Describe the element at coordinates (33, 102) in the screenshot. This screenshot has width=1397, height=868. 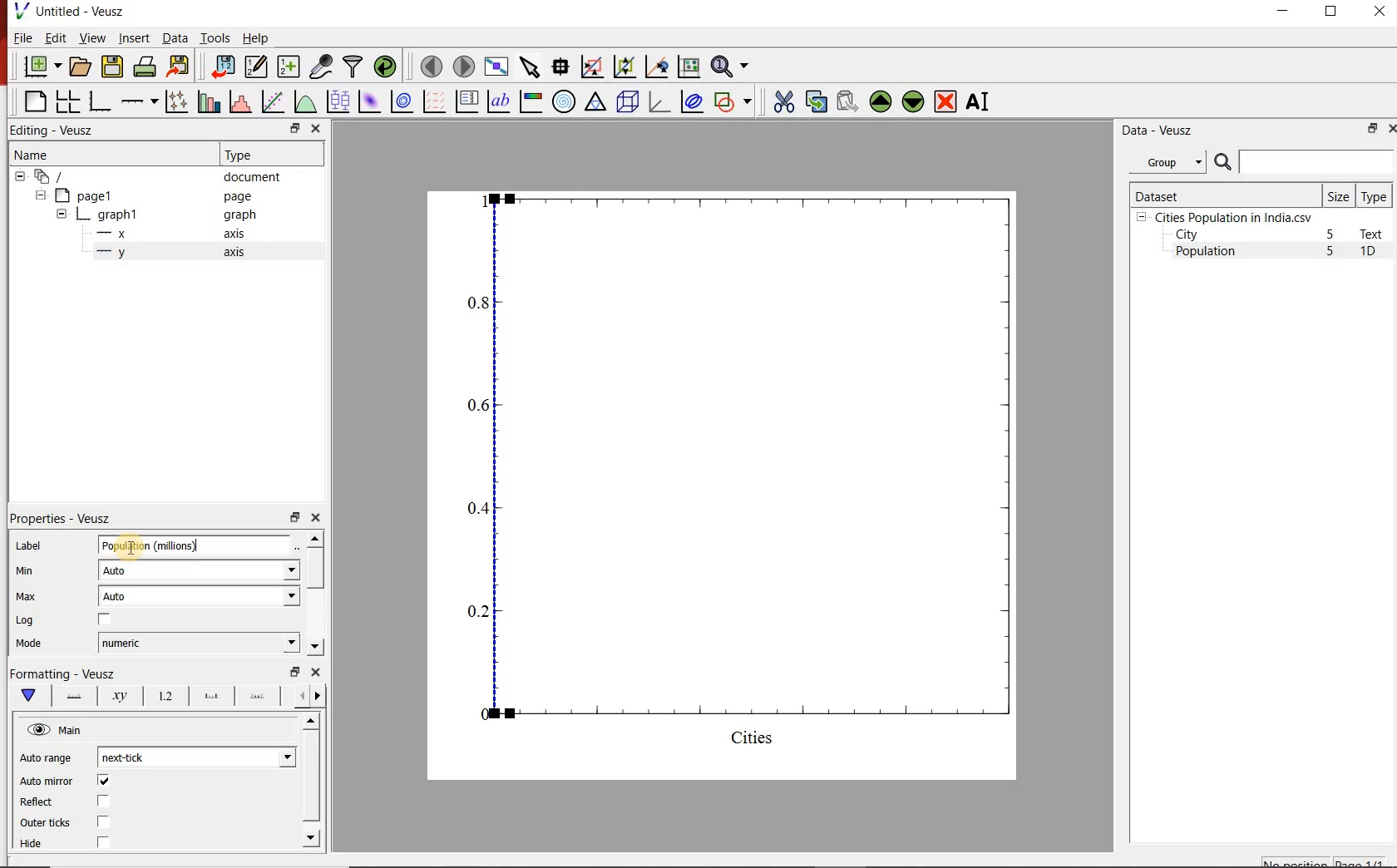
I see `blank page` at that location.